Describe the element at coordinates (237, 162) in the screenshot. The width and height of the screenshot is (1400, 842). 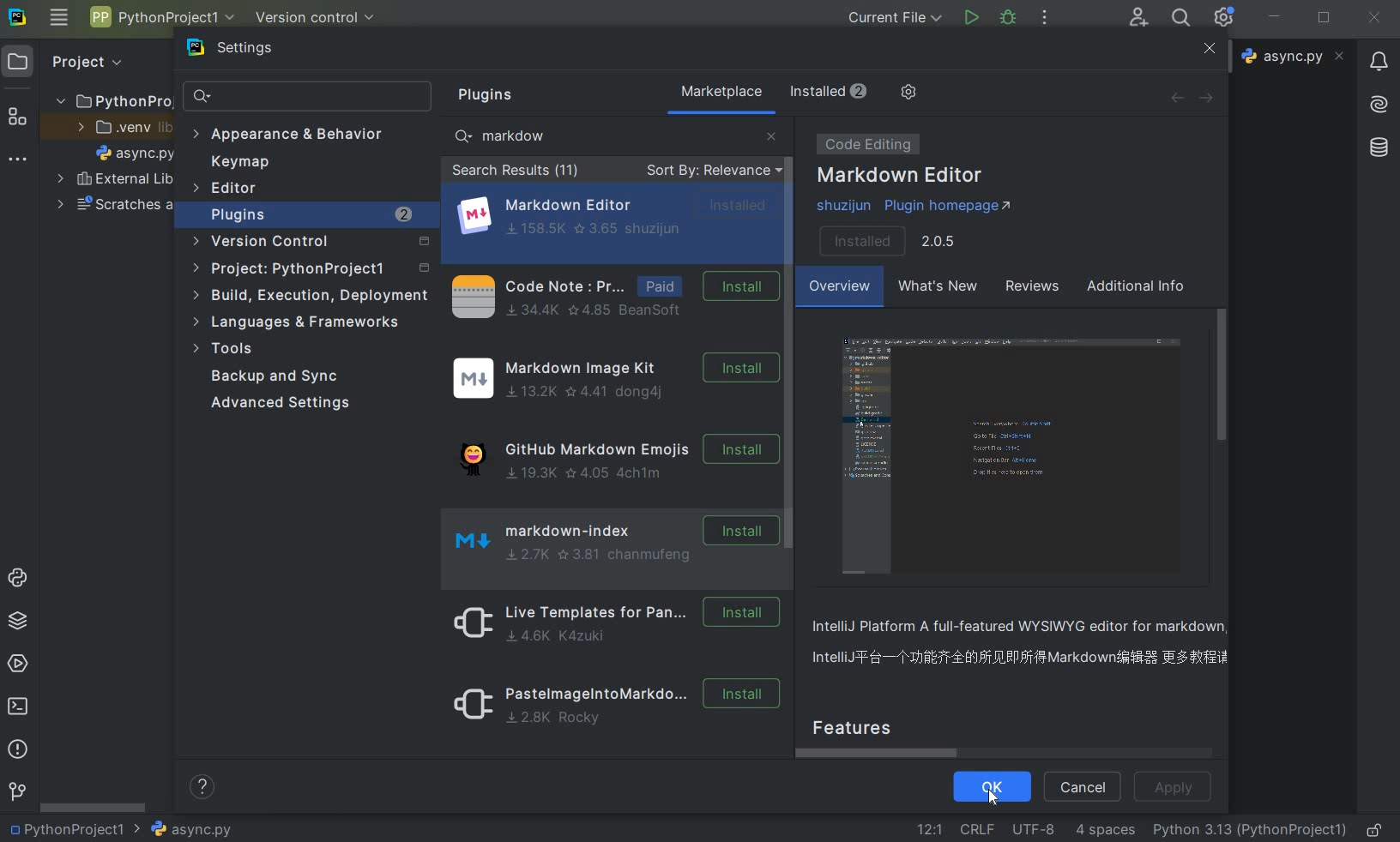
I see `keymap` at that location.